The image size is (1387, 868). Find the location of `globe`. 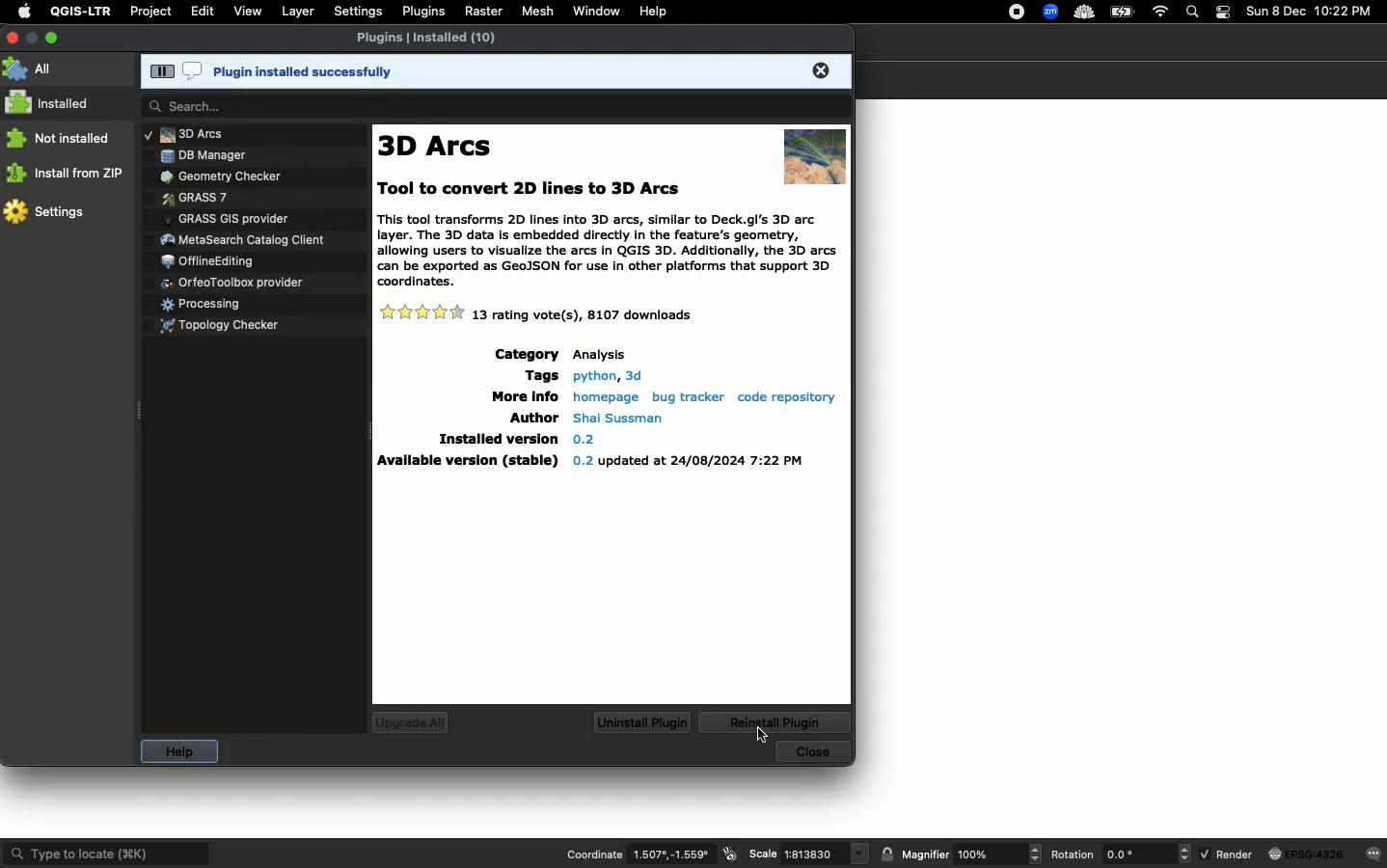

globe is located at coordinates (1308, 854).